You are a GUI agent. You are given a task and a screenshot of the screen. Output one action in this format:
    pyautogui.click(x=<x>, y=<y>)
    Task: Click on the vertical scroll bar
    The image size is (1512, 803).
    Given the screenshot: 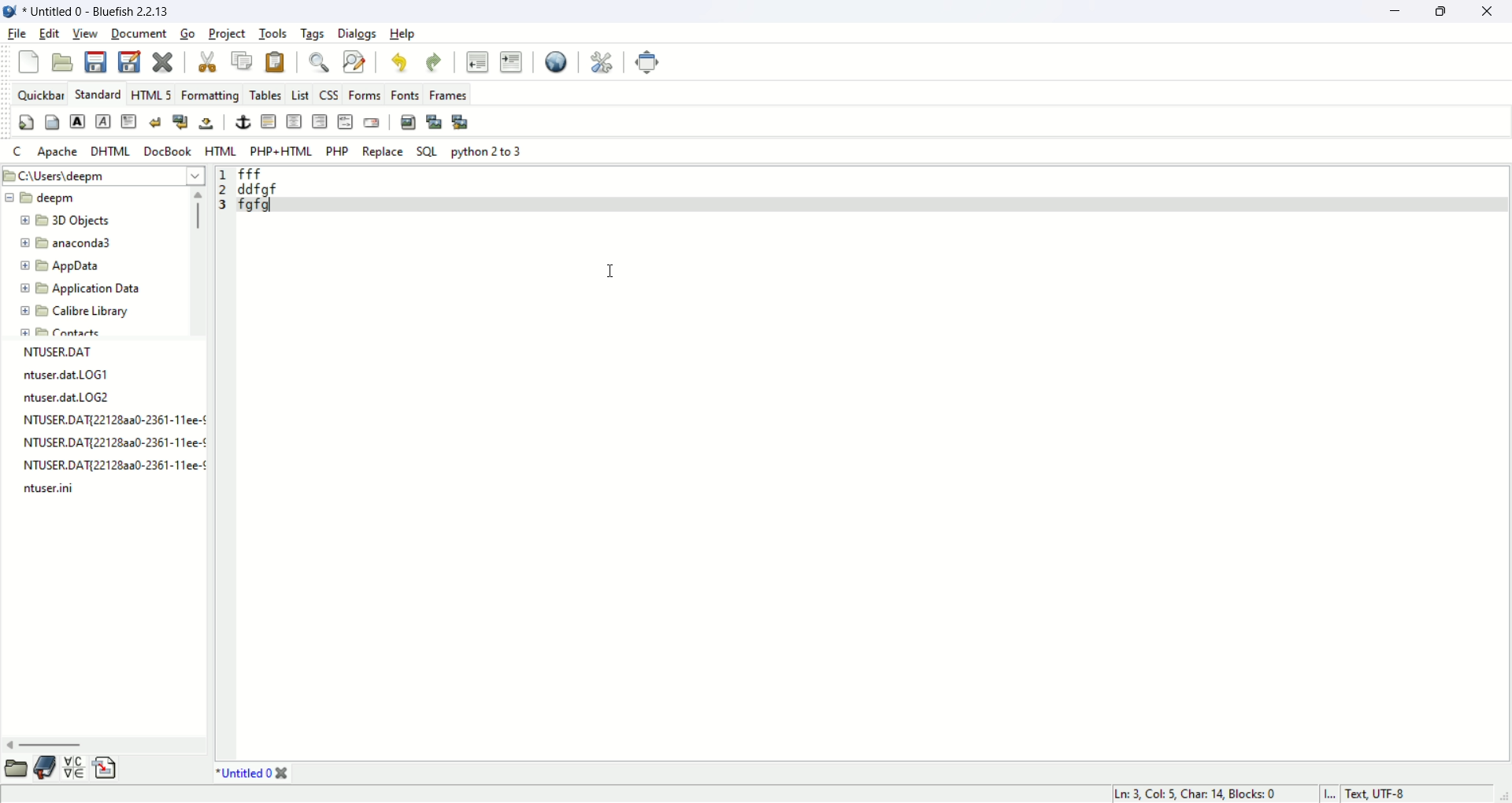 What is the action you would take?
    pyautogui.click(x=195, y=260)
    